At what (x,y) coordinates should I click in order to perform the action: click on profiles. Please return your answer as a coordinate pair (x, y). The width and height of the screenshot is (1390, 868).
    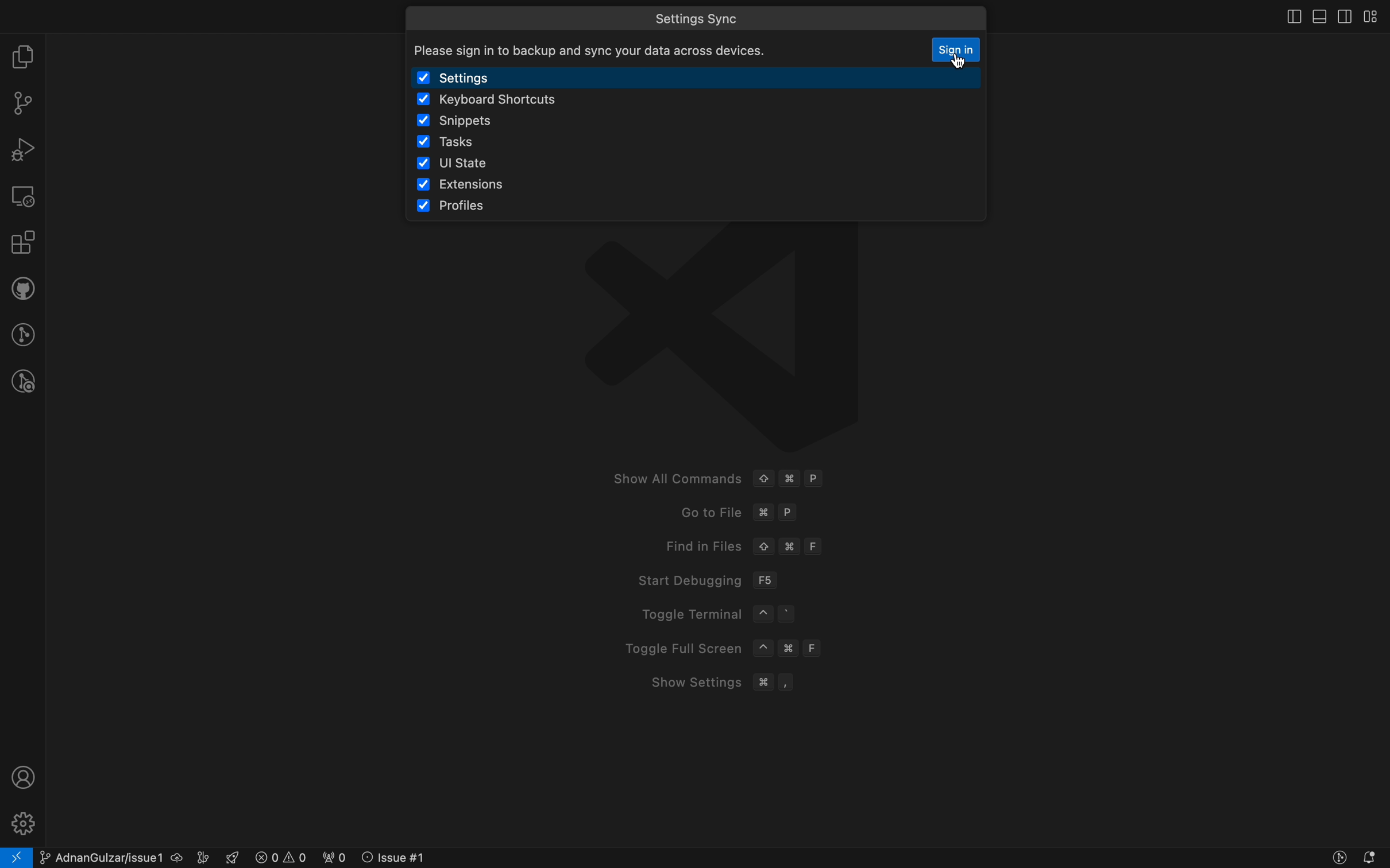
    Looking at the image, I should click on (481, 207).